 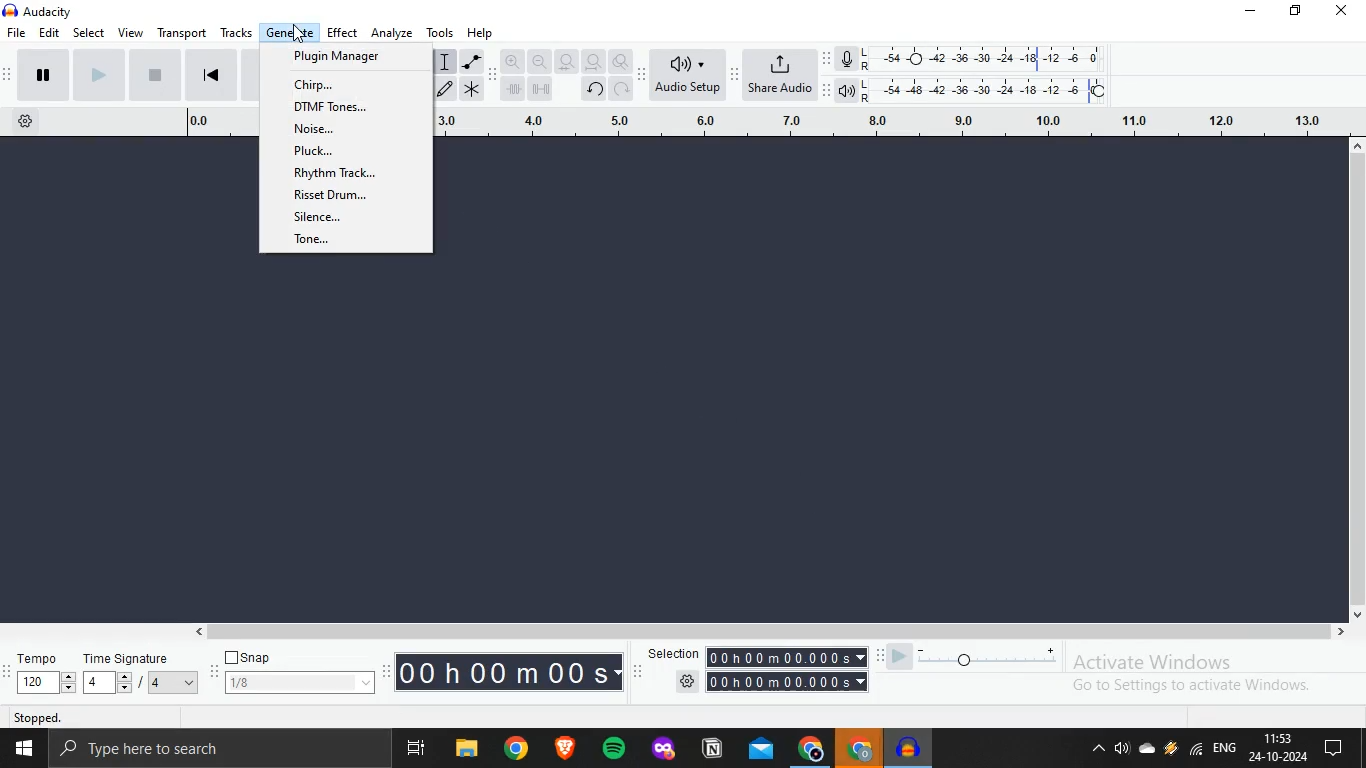 I want to click on Onedrive, so click(x=1145, y=752).